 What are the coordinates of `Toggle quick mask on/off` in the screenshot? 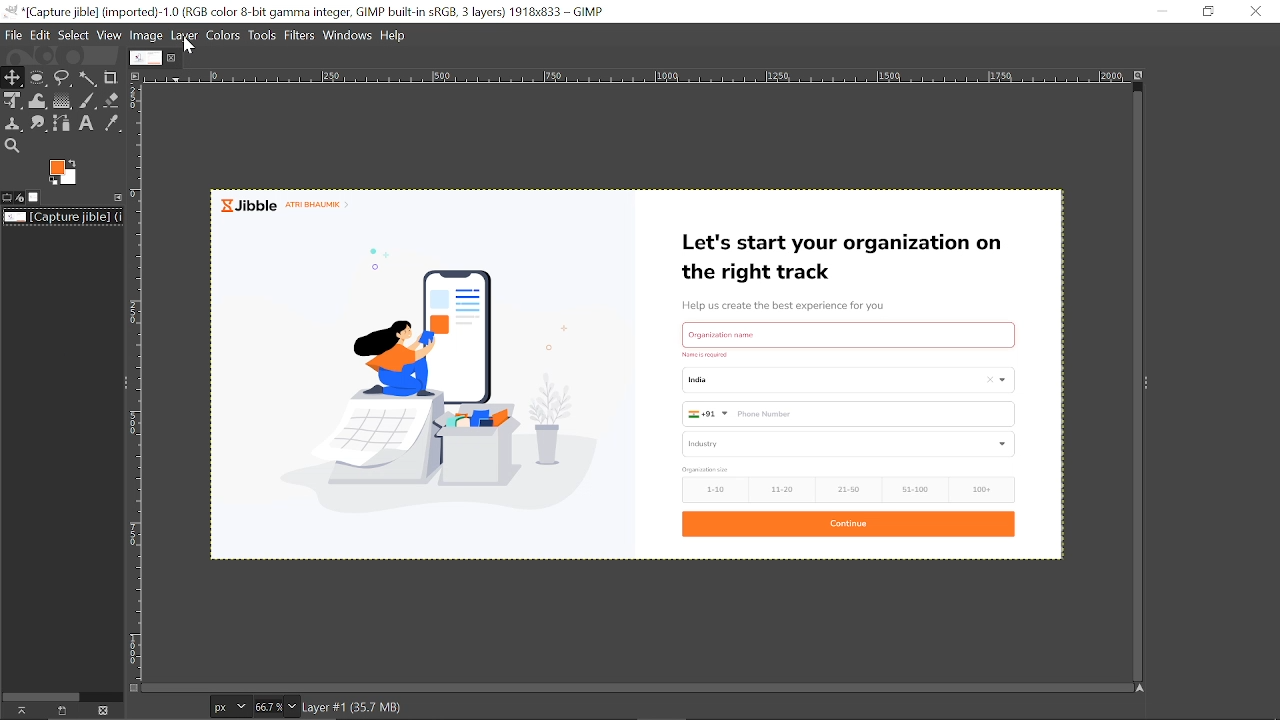 It's located at (132, 688).